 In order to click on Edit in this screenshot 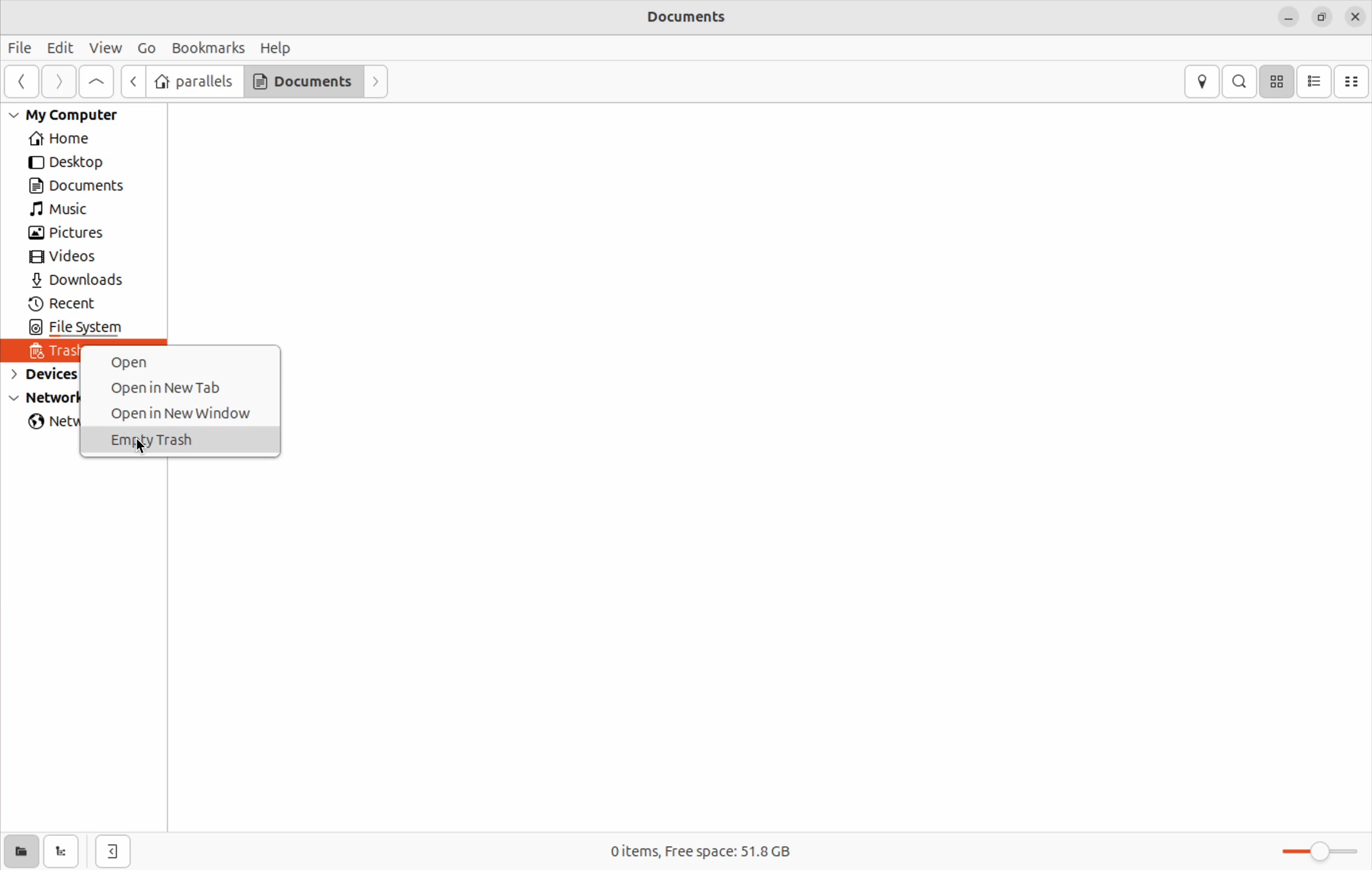, I will do `click(59, 47)`.